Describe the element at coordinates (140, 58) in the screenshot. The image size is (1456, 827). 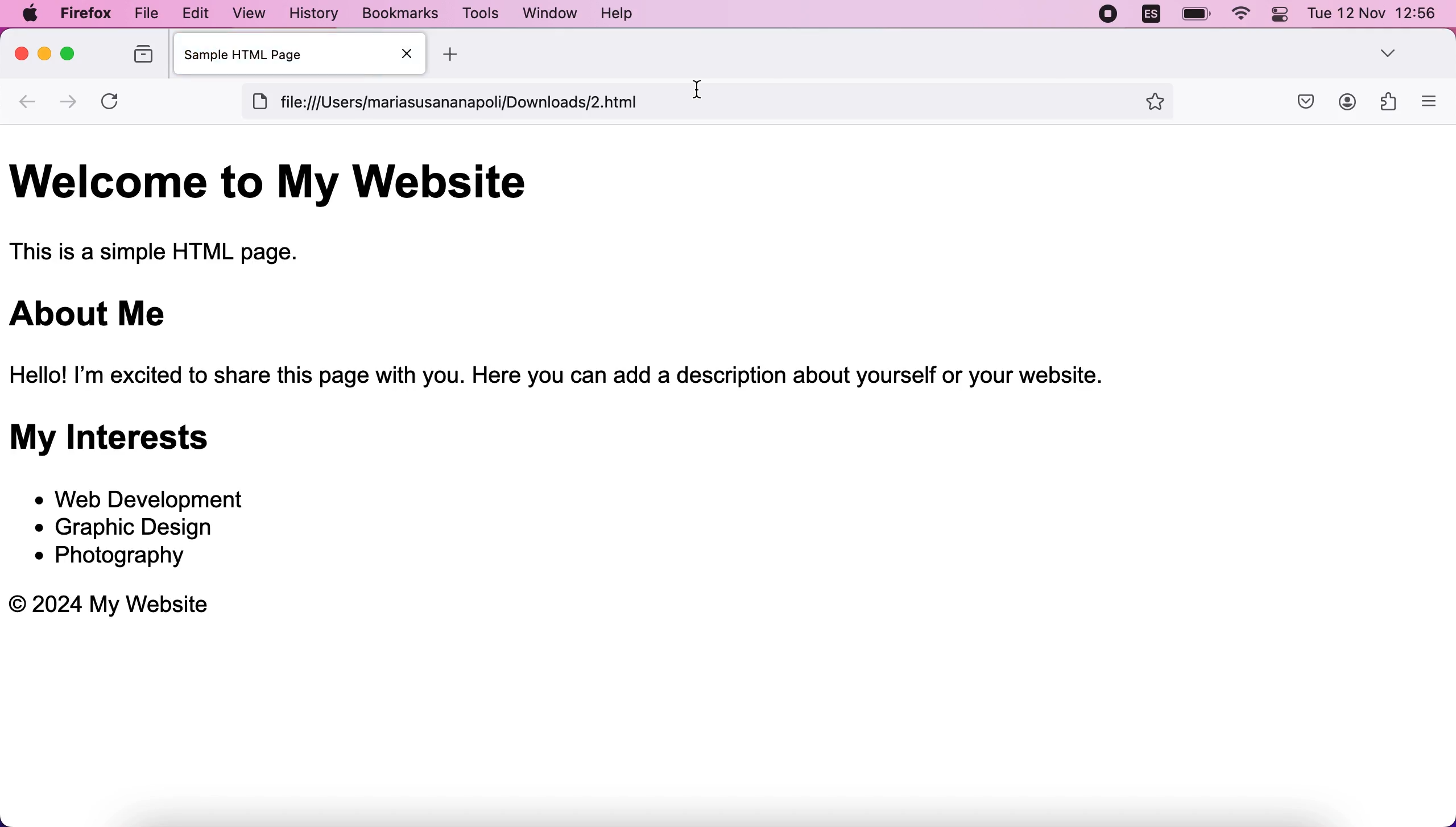
I see `view recent browsing` at that location.